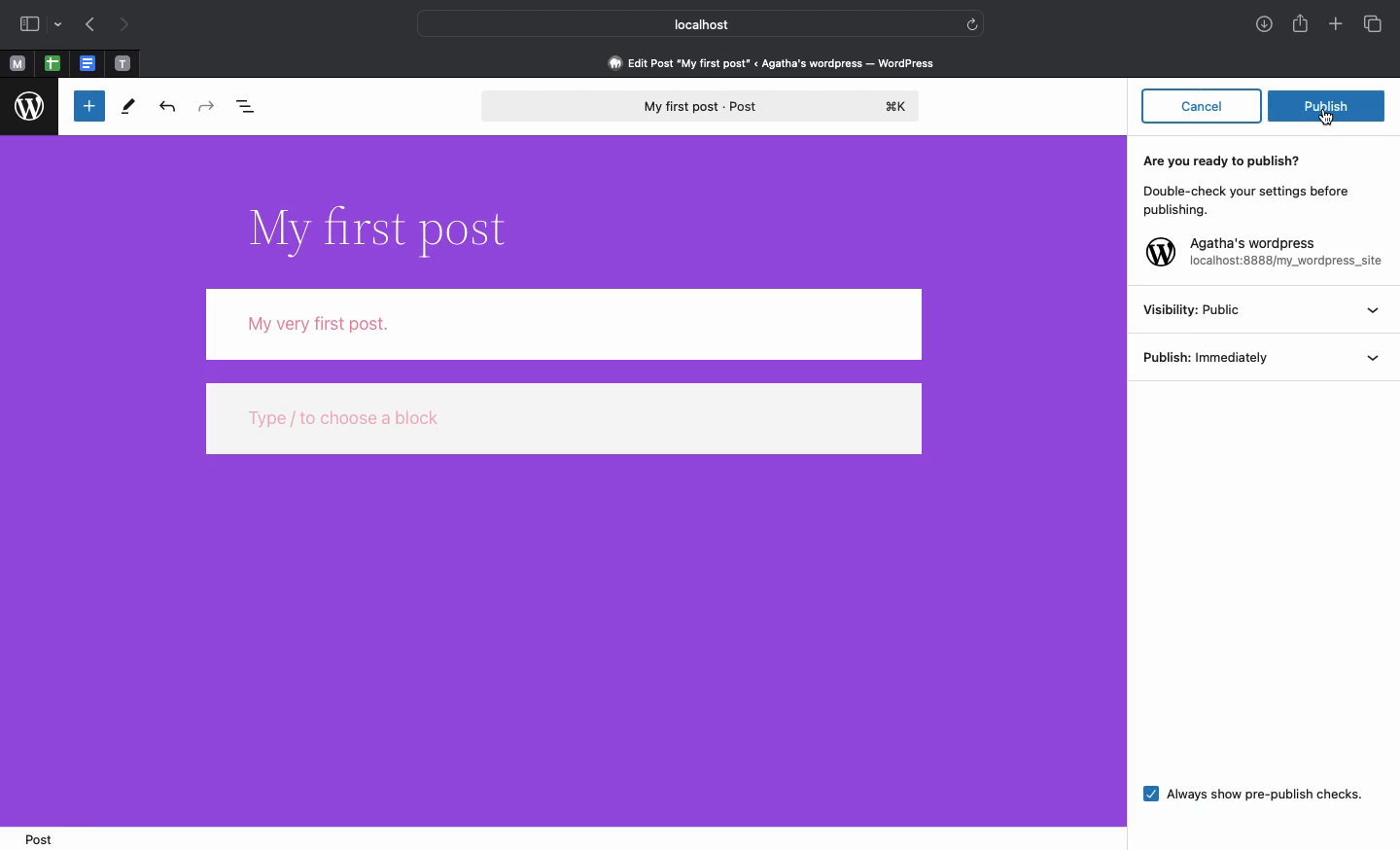  What do you see at coordinates (1251, 797) in the screenshot?
I see `Always show pre-publish checks` at bounding box center [1251, 797].